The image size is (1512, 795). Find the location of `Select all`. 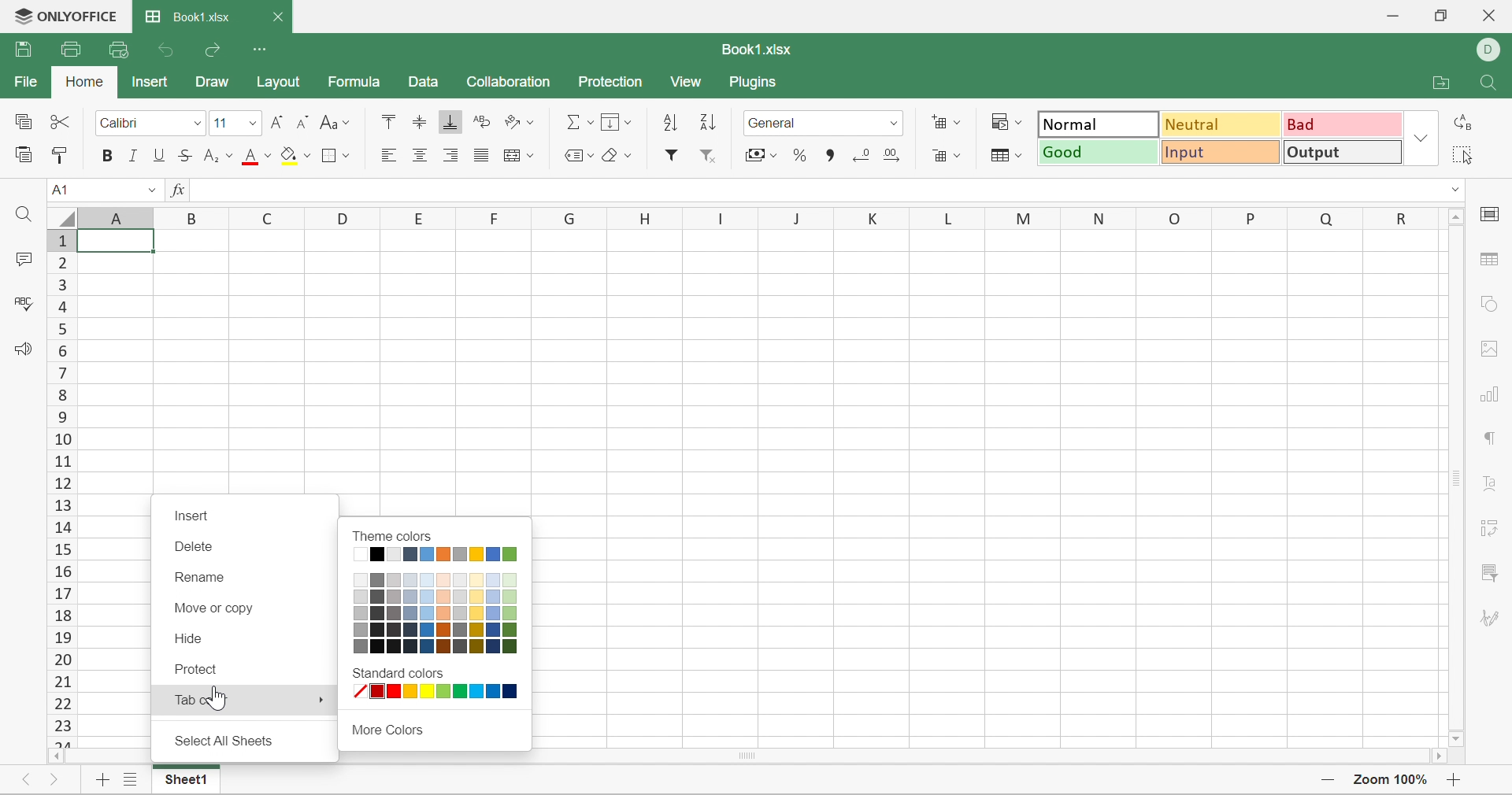

Select all is located at coordinates (1458, 154).